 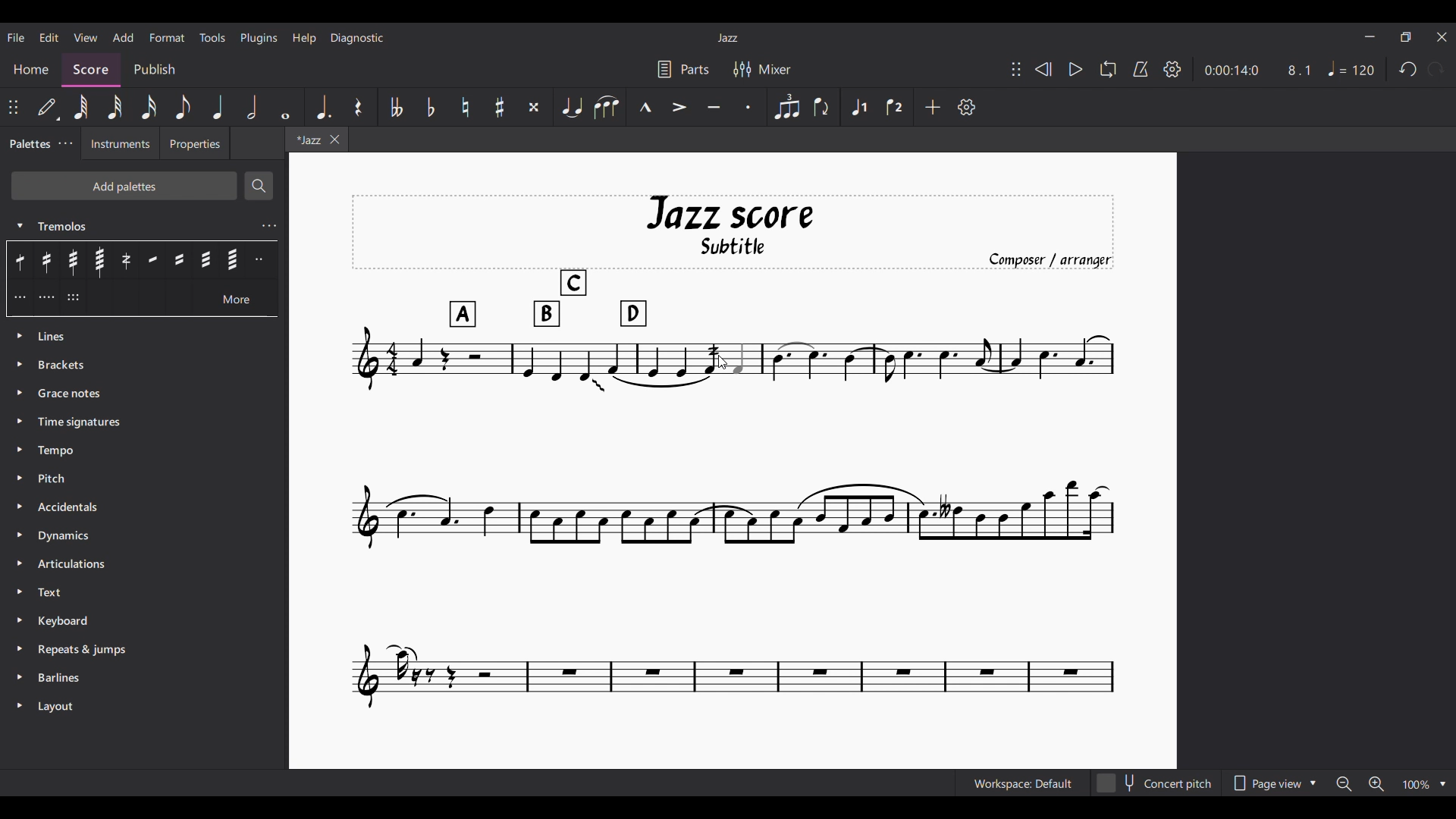 I want to click on Voice 2, so click(x=894, y=106).